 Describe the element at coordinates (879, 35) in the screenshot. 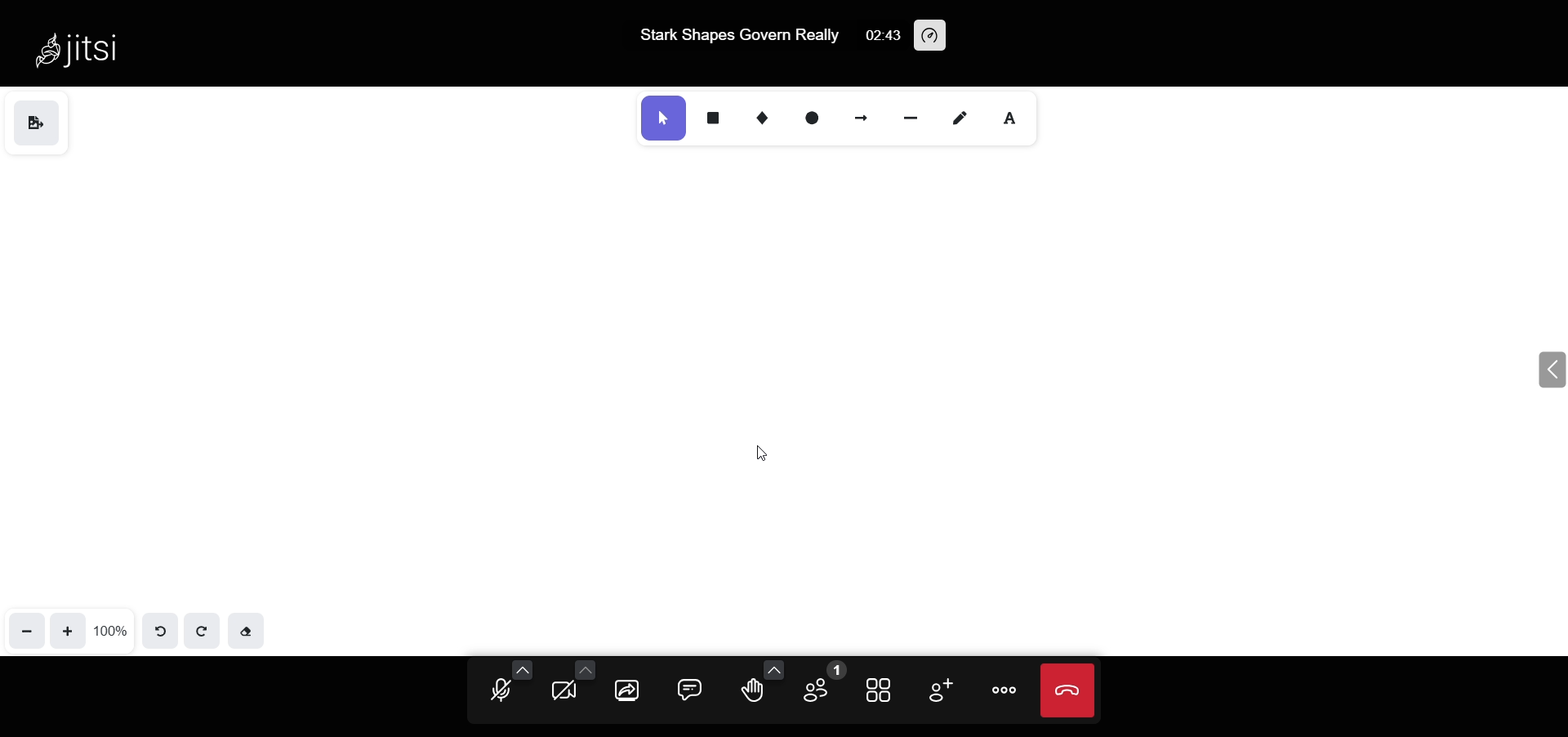

I see `02:43` at that location.